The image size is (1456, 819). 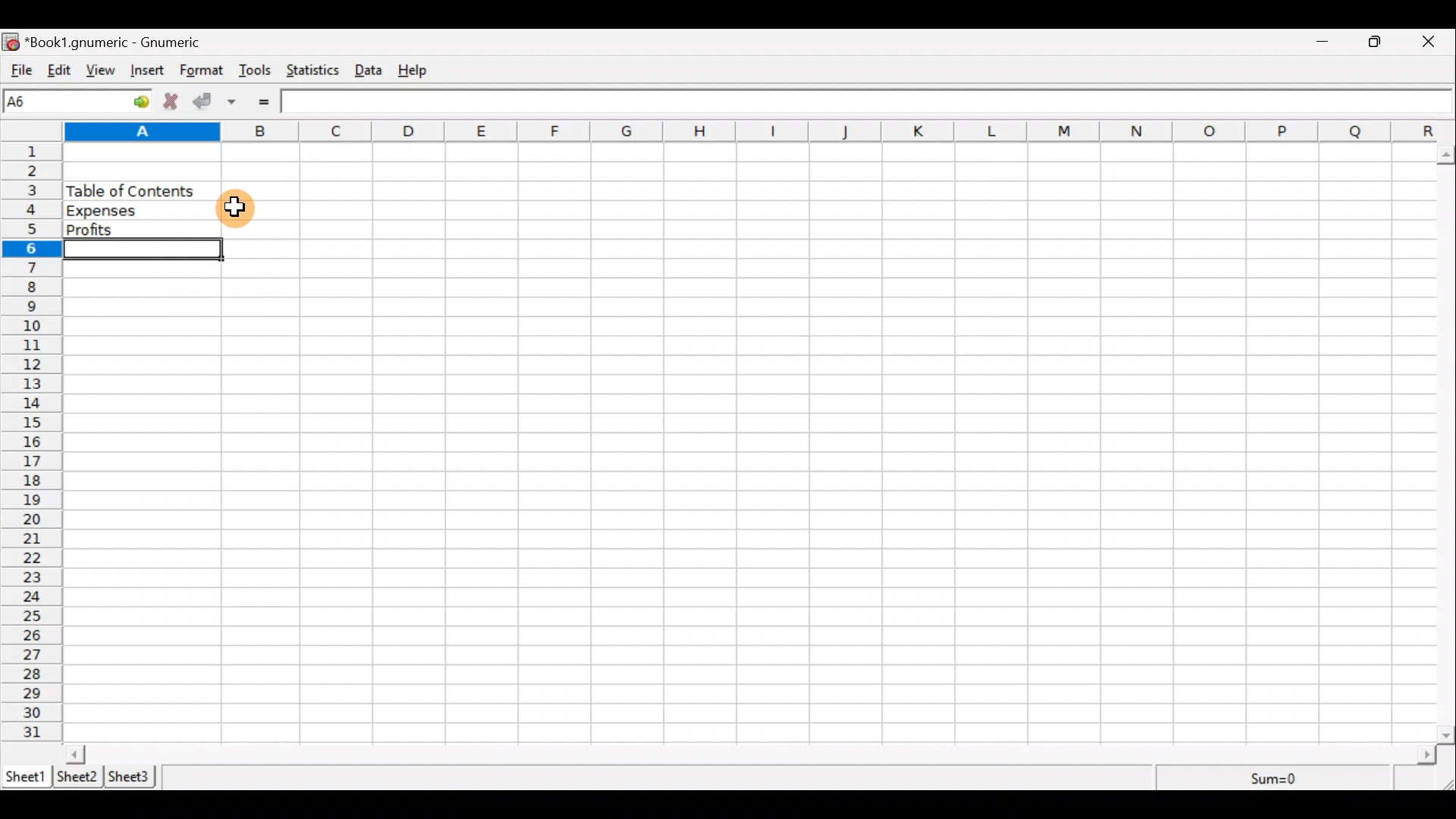 What do you see at coordinates (75, 754) in the screenshot?
I see `scroll left` at bounding box center [75, 754].